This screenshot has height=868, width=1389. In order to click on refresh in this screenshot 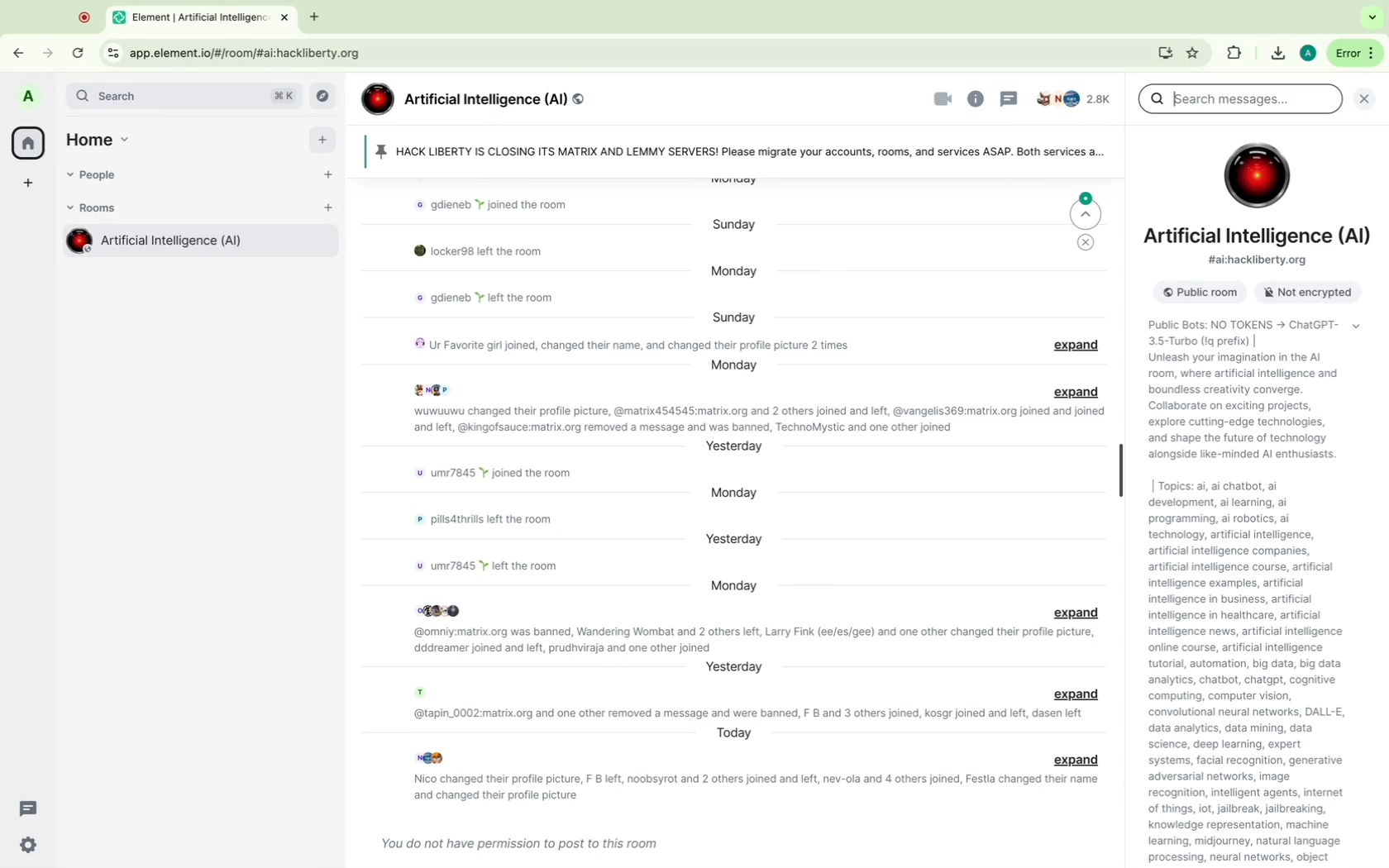, I will do `click(80, 55)`.